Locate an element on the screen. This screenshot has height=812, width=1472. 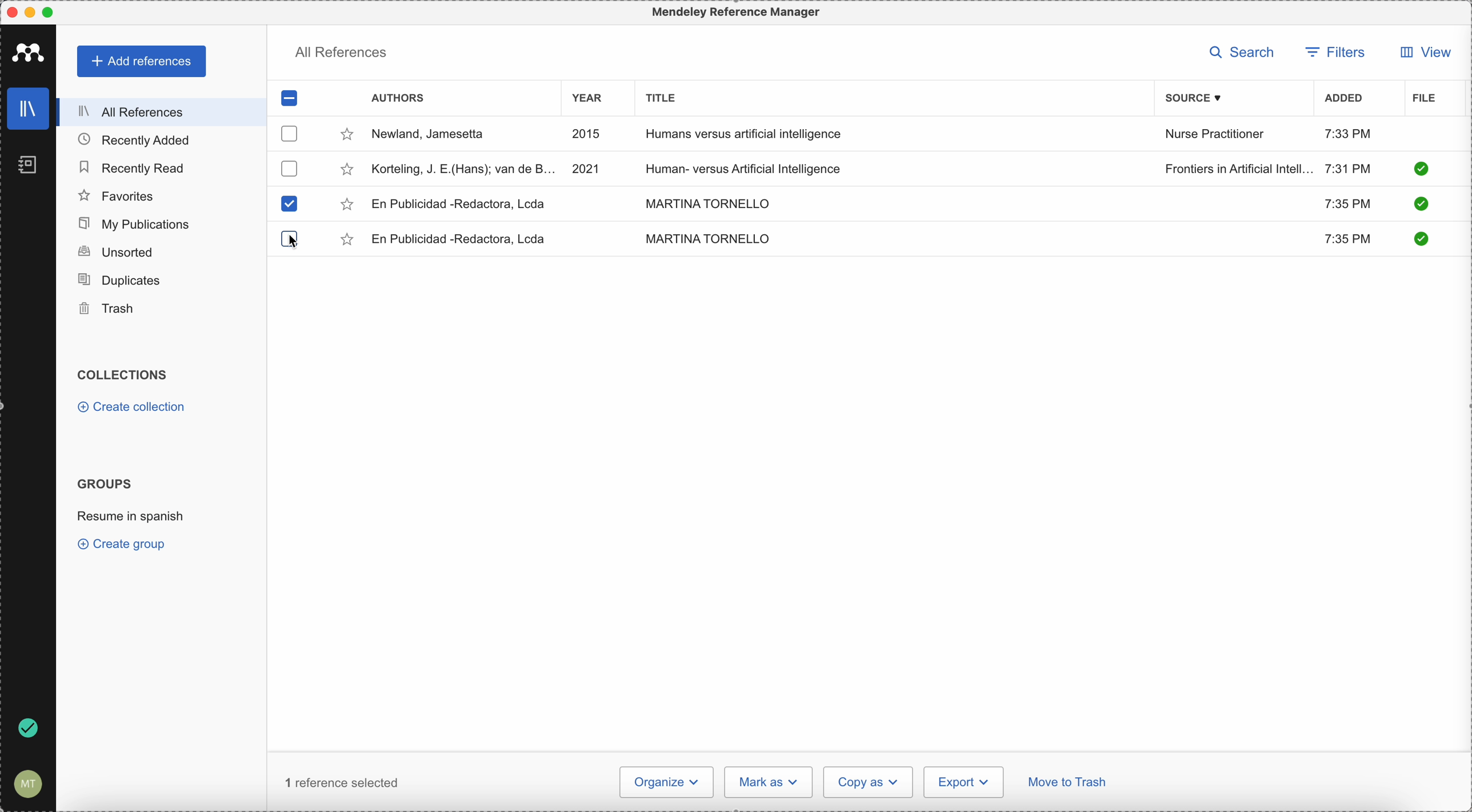
favorites is located at coordinates (117, 196).